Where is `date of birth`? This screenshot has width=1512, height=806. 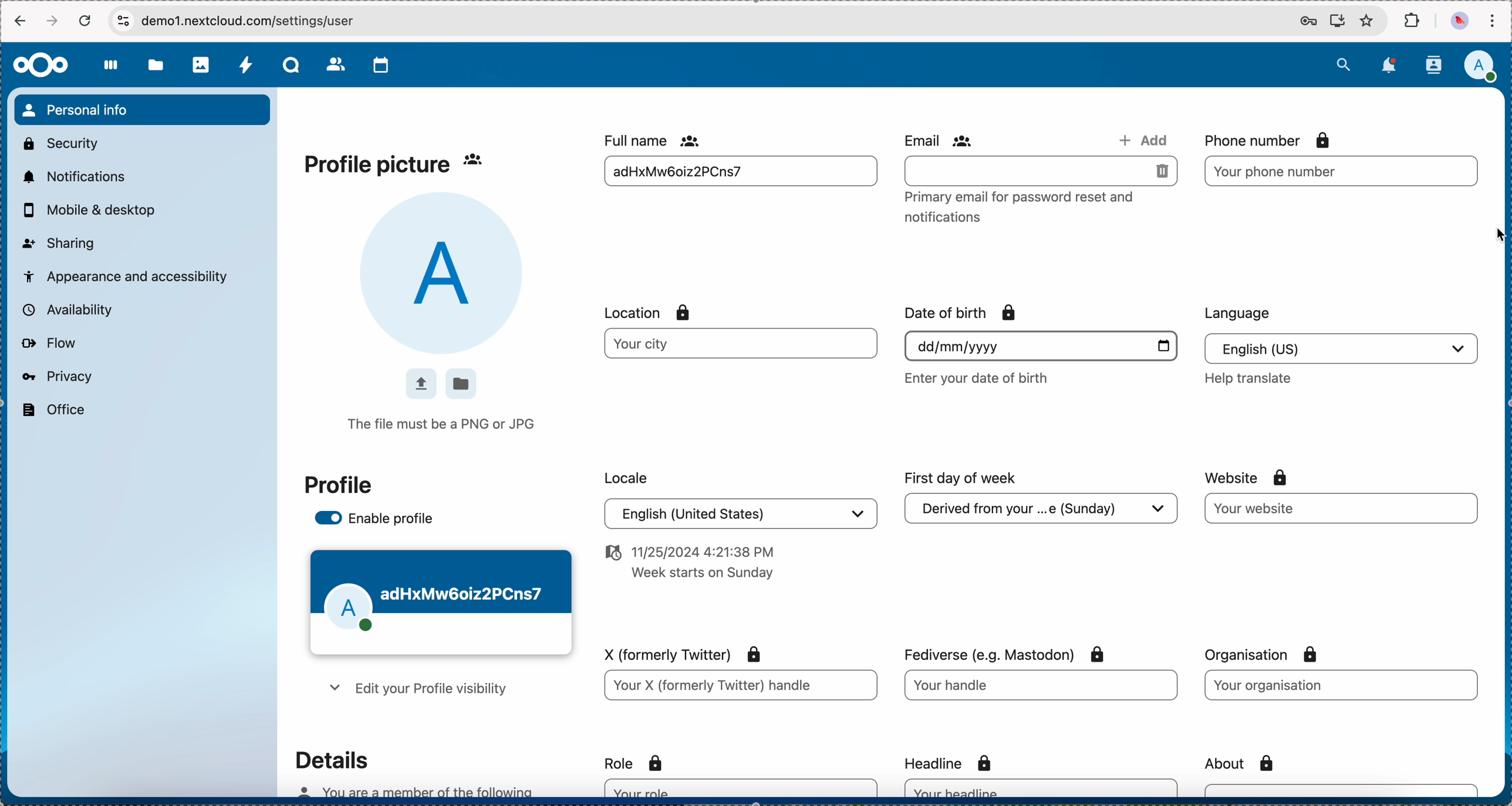
date of birth is located at coordinates (962, 313).